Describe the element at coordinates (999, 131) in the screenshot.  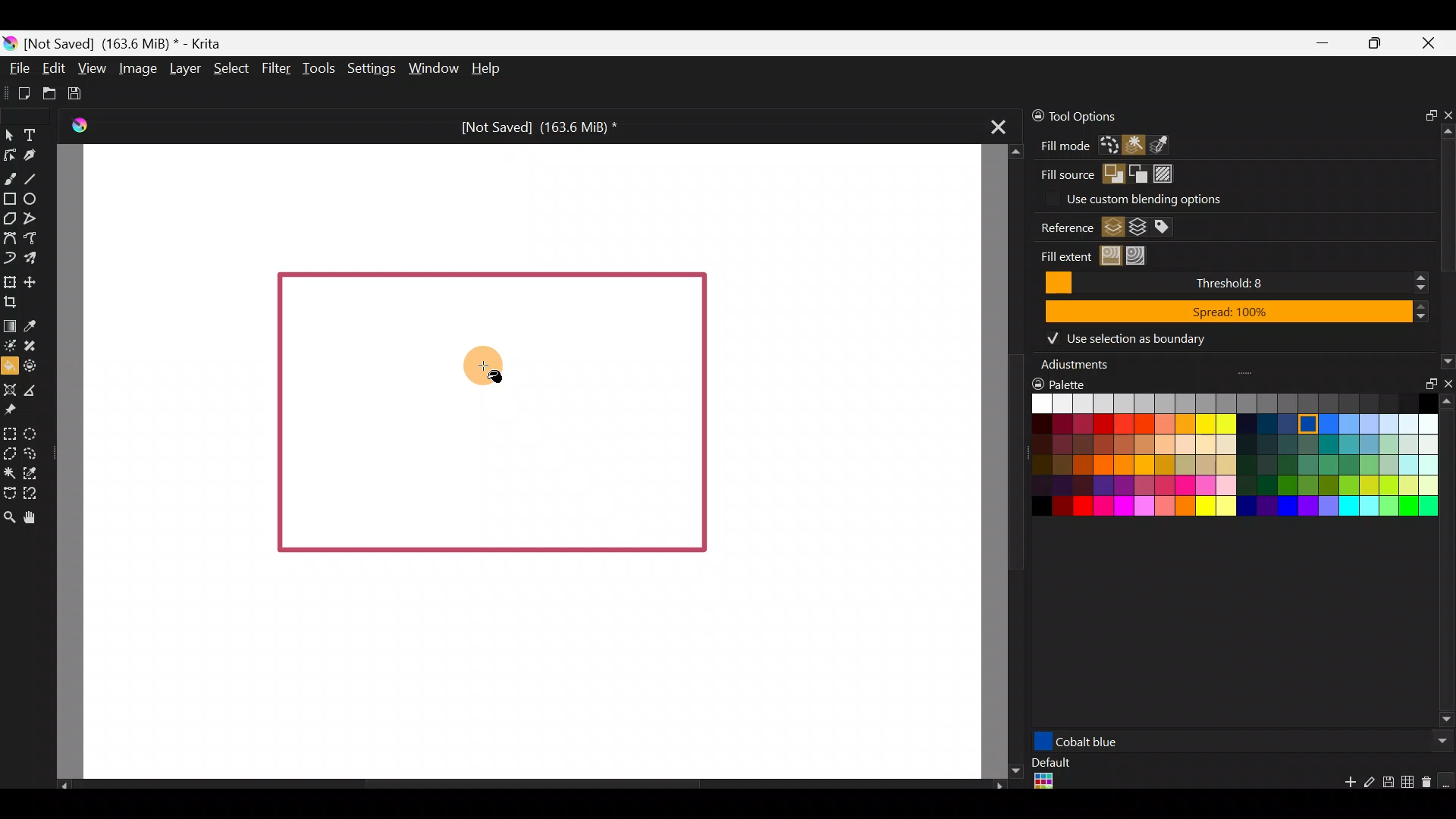
I see `Close tab` at that location.